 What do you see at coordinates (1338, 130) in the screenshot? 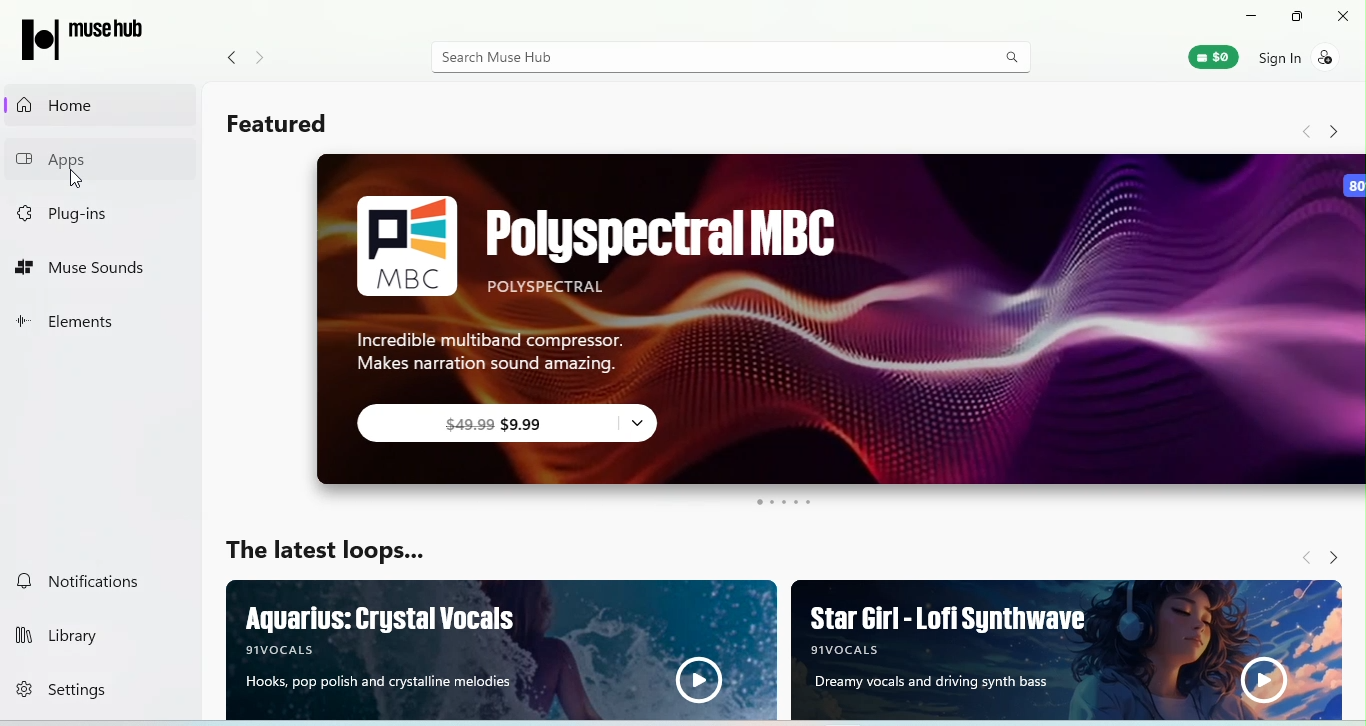
I see `Navigate forward` at bounding box center [1338, 130].